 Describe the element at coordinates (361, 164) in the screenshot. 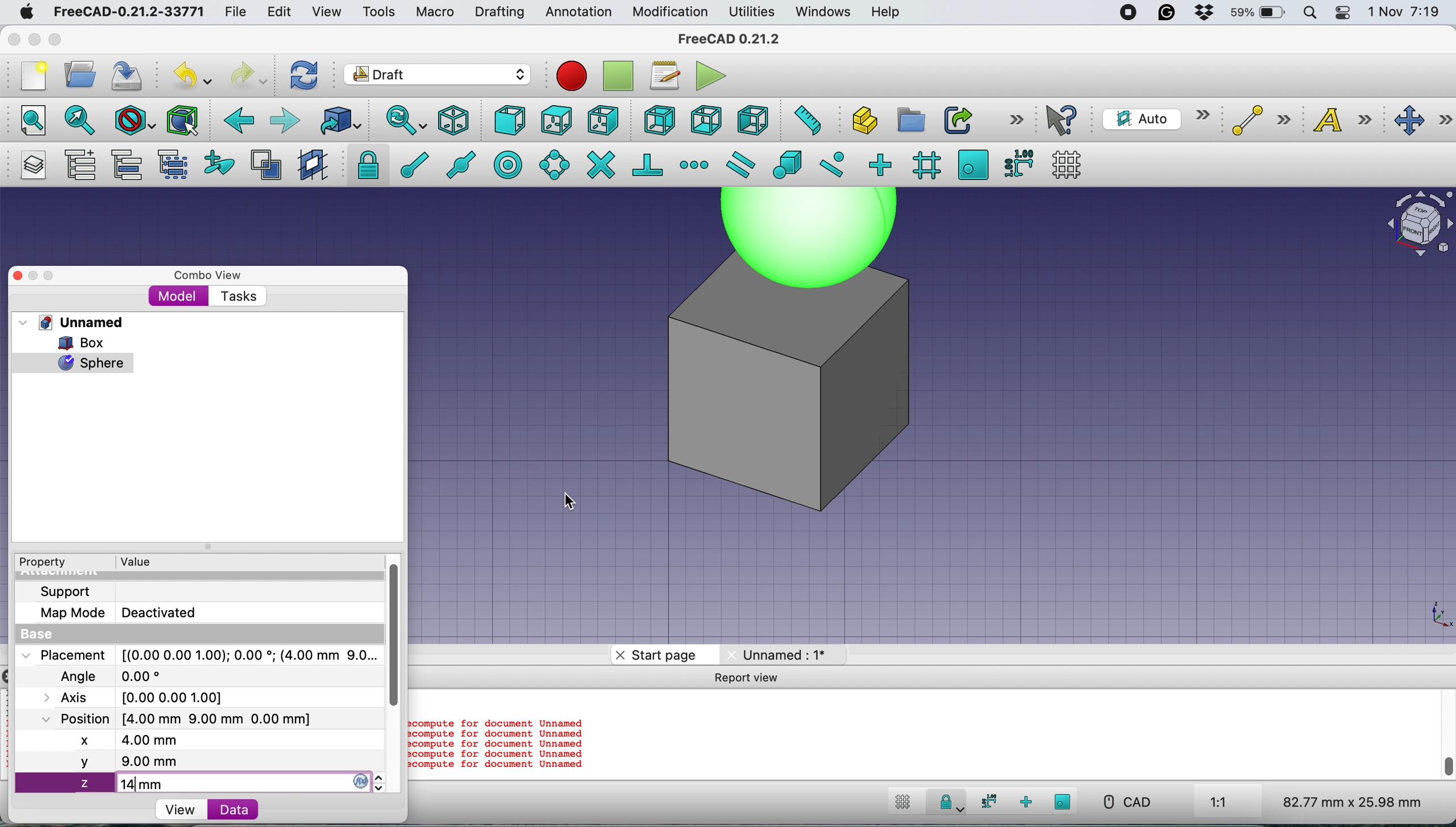

I see `snap lock` at that location.